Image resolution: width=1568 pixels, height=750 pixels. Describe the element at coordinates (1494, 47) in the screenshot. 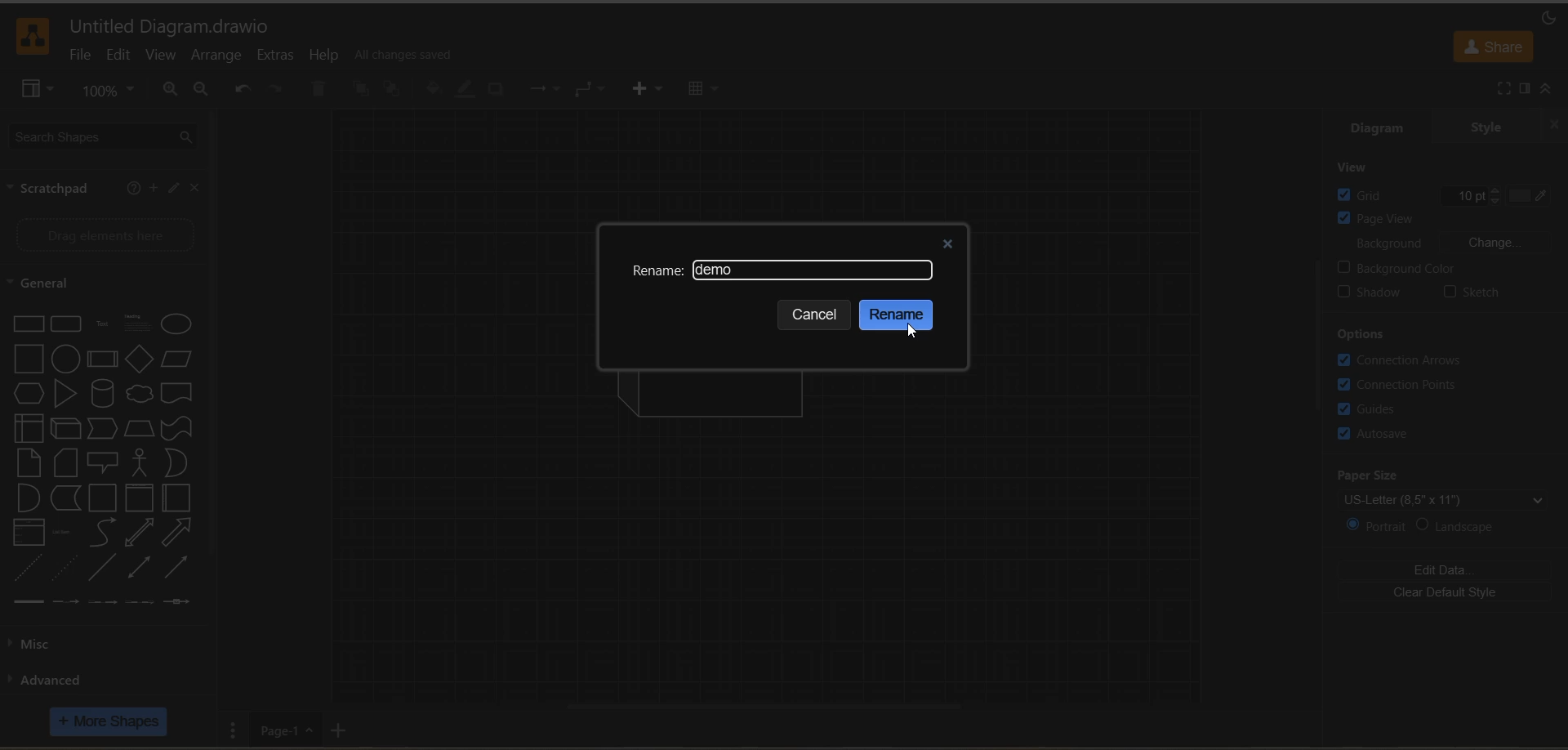

I see `share` at that location.